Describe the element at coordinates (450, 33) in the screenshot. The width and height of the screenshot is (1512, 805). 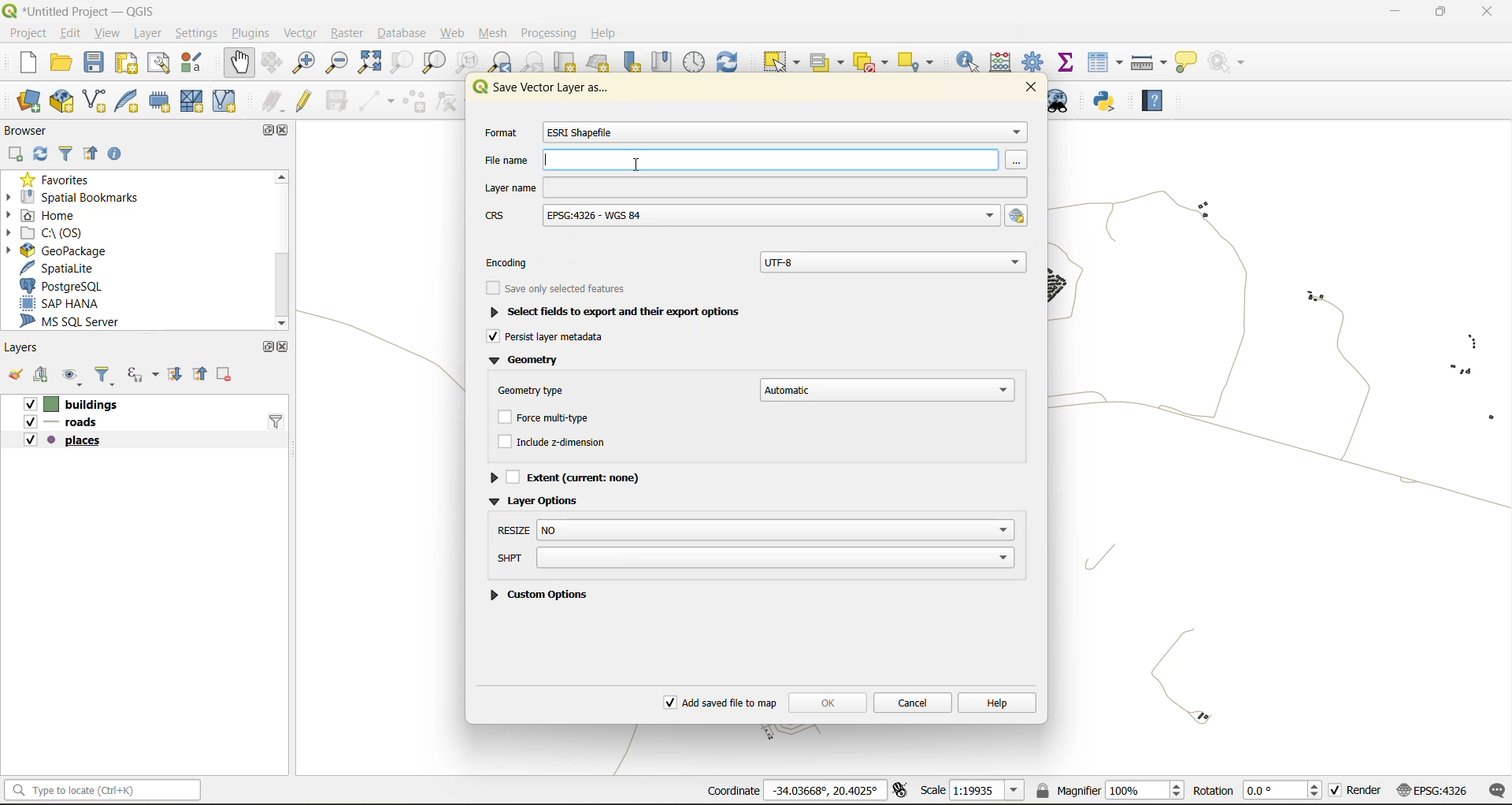
I see `web` at that location.